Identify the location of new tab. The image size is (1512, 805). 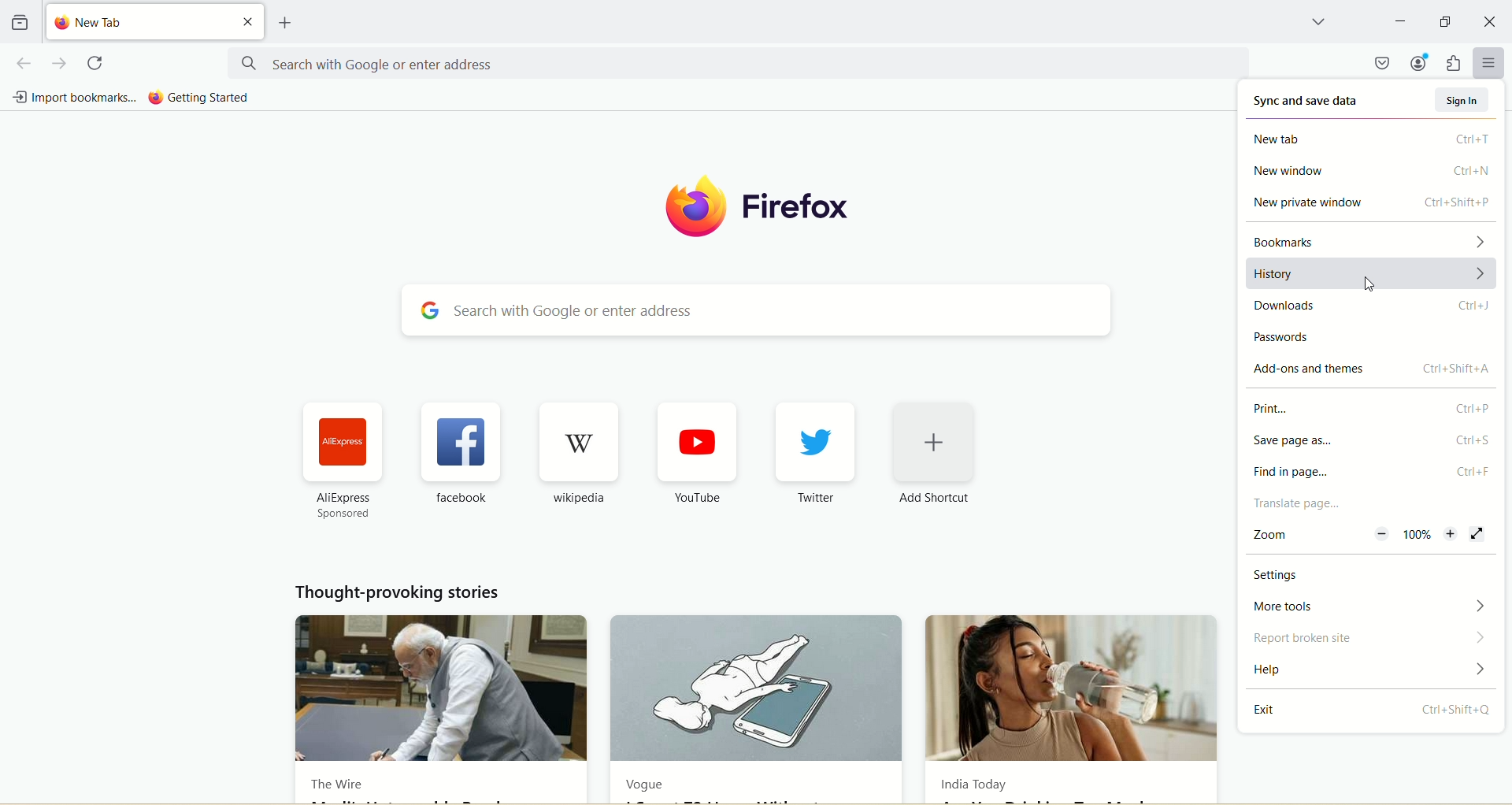
(1372, 137).